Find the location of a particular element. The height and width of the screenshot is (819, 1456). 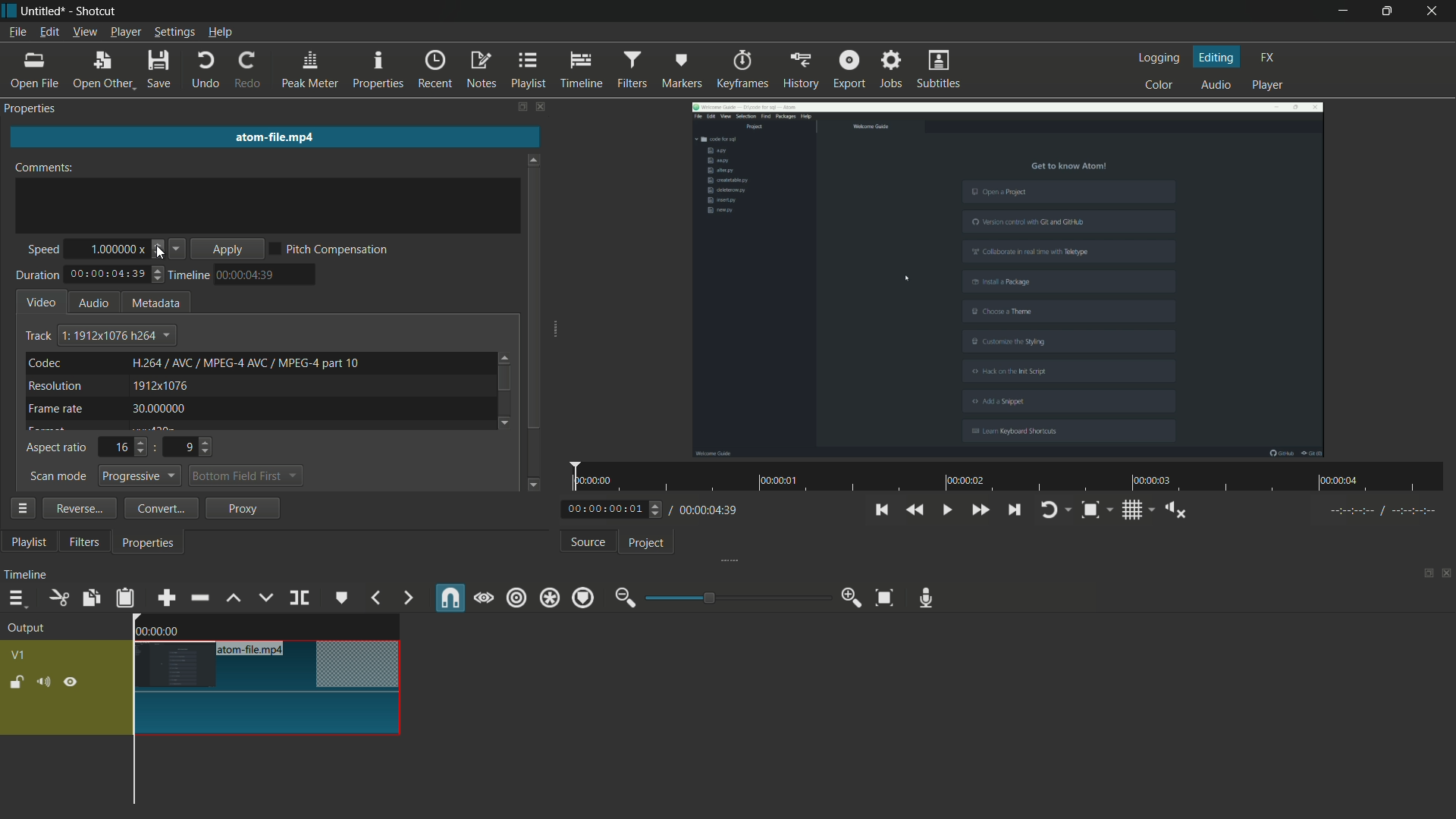

total time is located at coordinates (107, 275).